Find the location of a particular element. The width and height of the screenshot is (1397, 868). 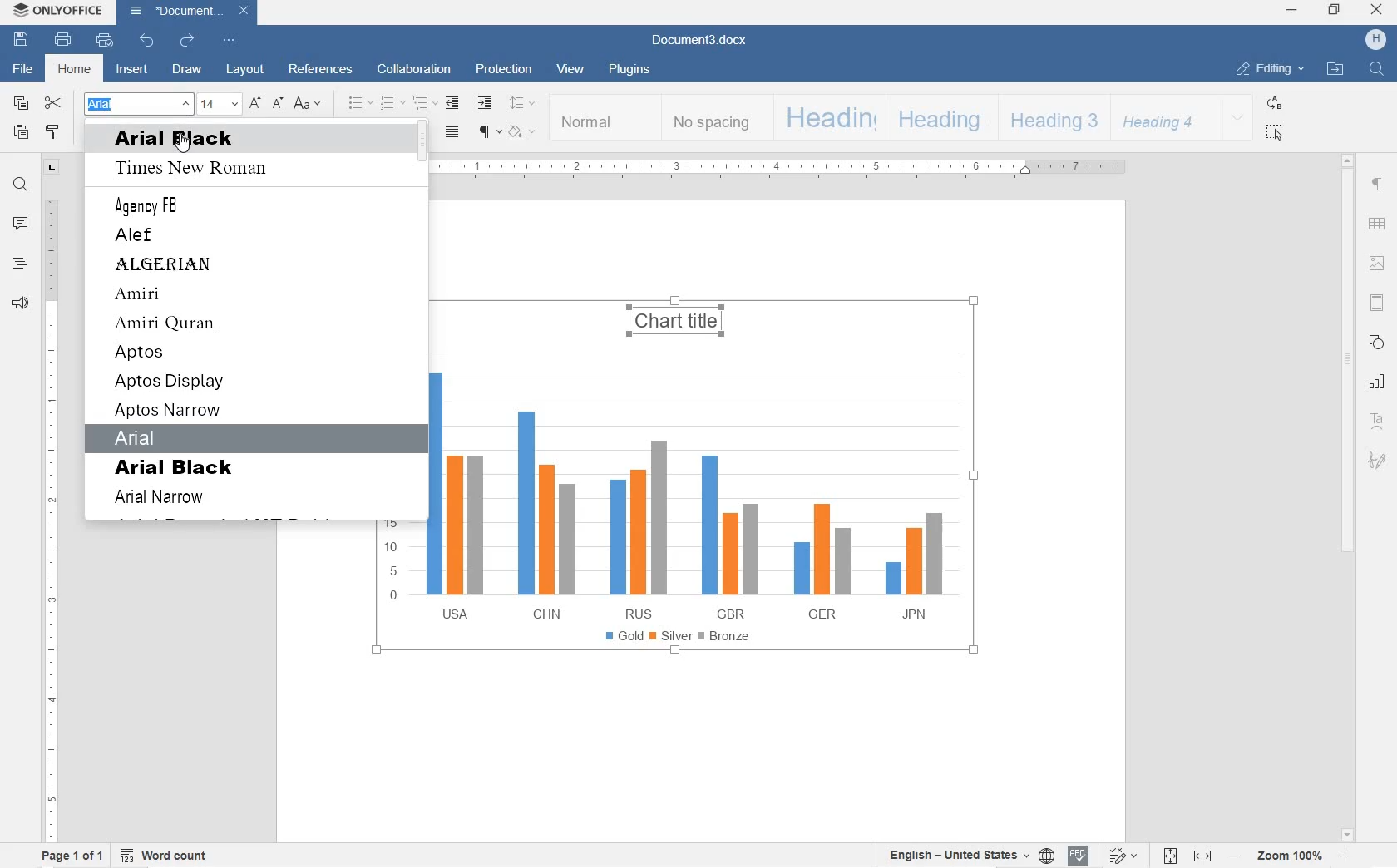

PARAGRAPH SETTINGS is located at coordinates (1377, 184).